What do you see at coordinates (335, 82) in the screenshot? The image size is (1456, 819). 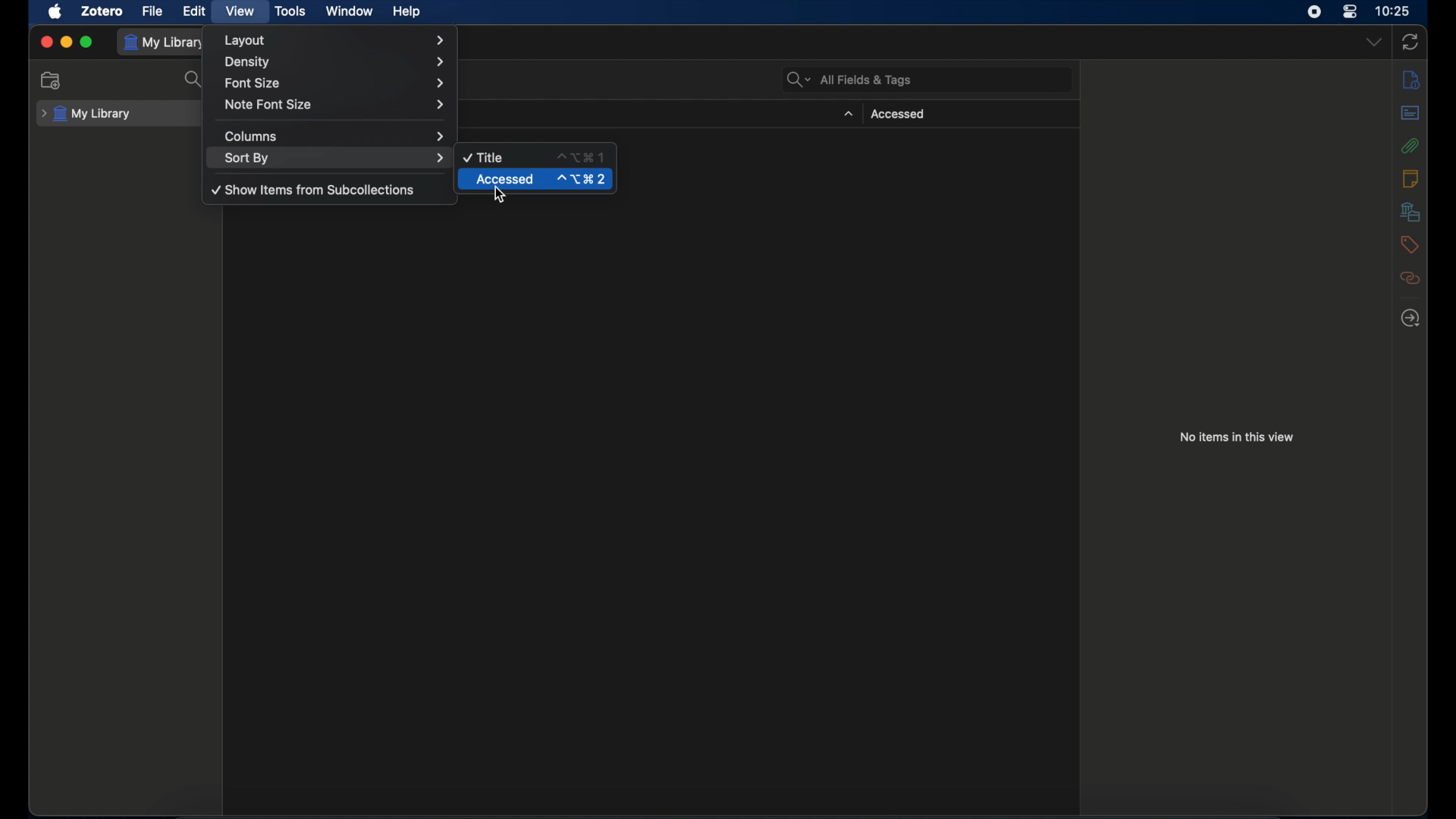 I see `font size` at bounding box center [335, 82].